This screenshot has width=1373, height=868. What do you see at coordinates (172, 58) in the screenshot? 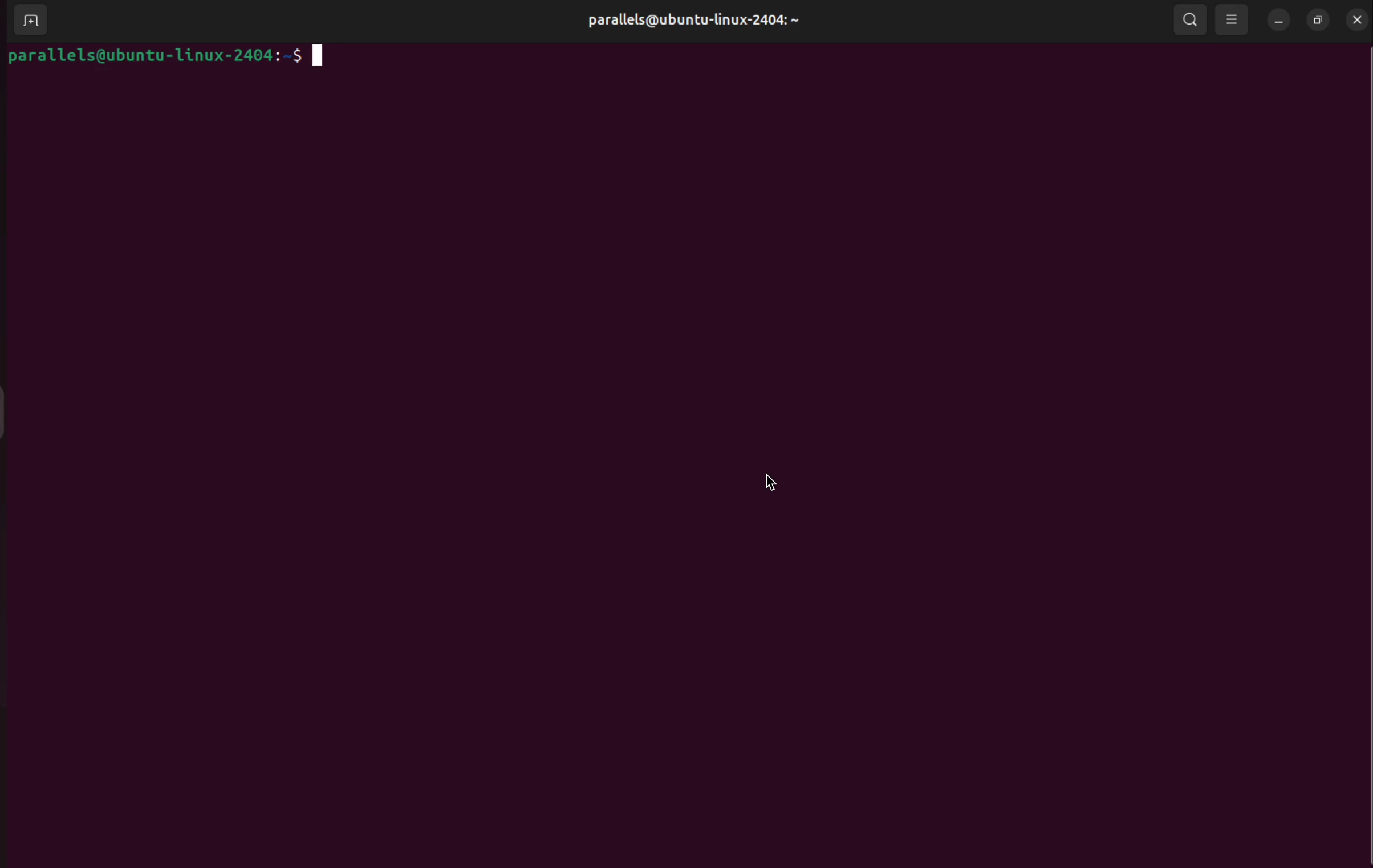
I see `parallels@ubuntu-Linux-2404:~5` at bounding box center [172, 58].